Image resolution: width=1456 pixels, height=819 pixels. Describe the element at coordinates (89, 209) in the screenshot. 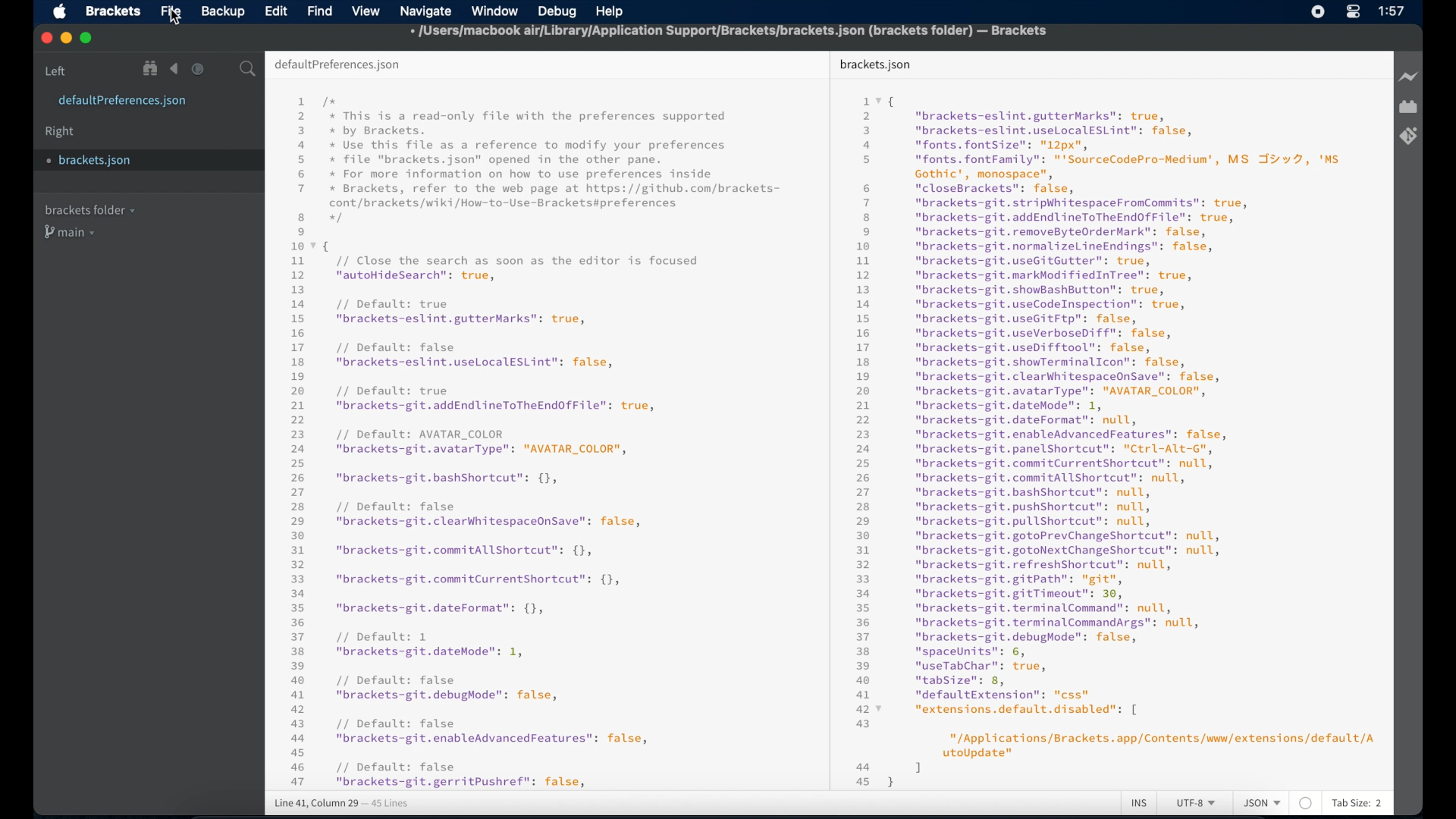

I see `brackets folder` at that location.